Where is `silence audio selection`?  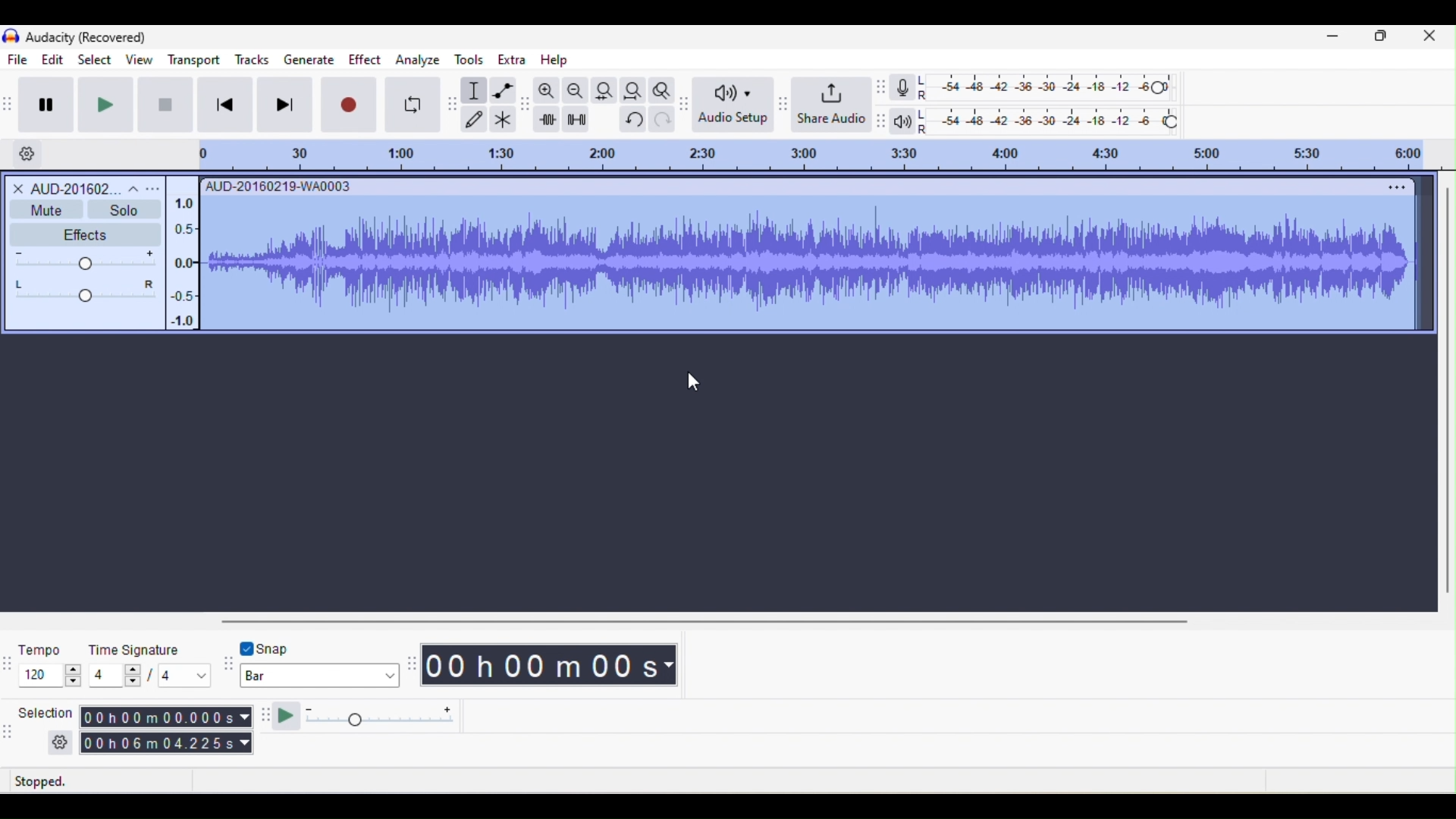
silence audio selection is located at coordinates (576, 119).